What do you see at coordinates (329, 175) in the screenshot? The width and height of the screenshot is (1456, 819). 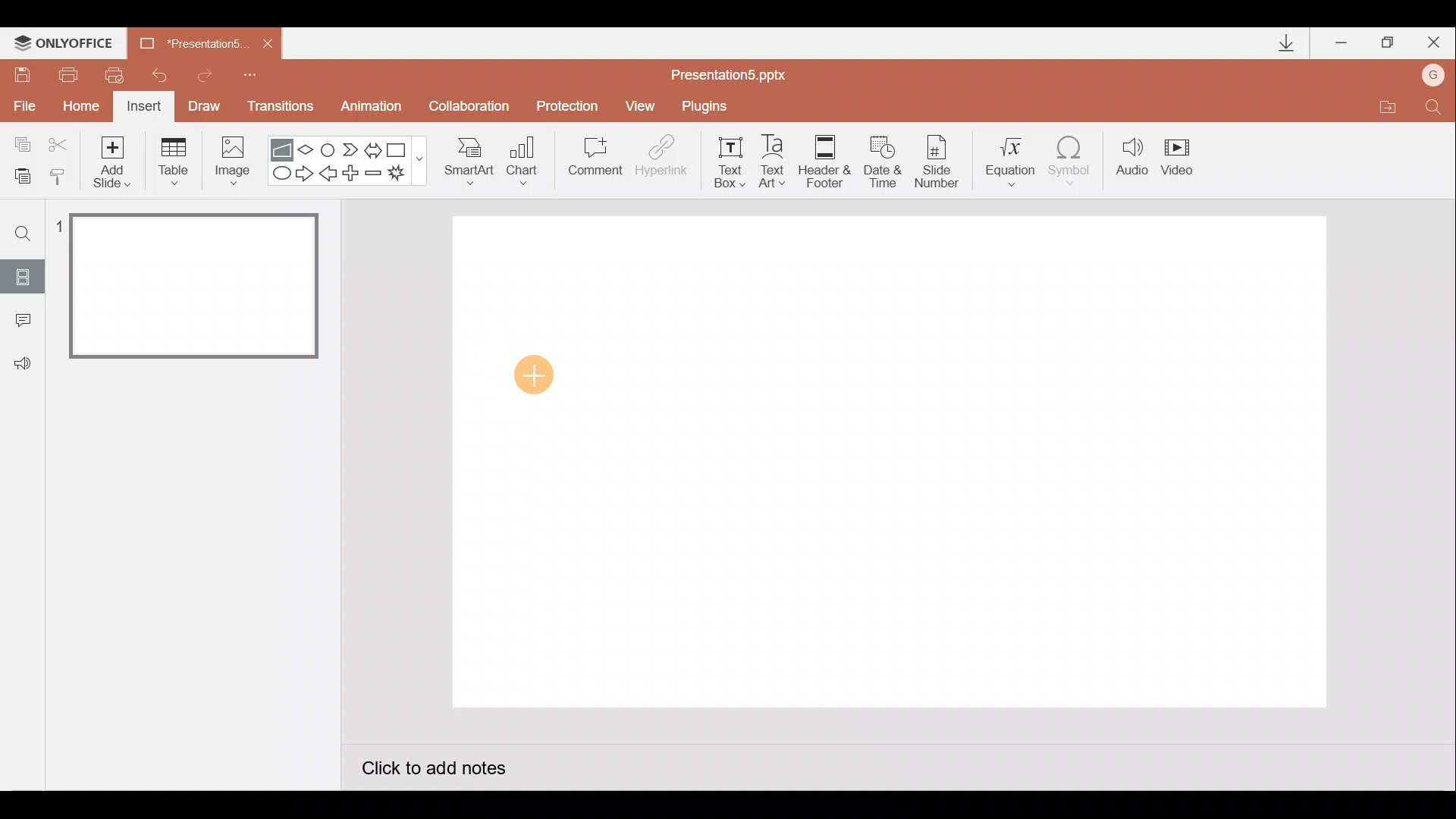 I see `Left arrow` at bounding box center [329, 175].